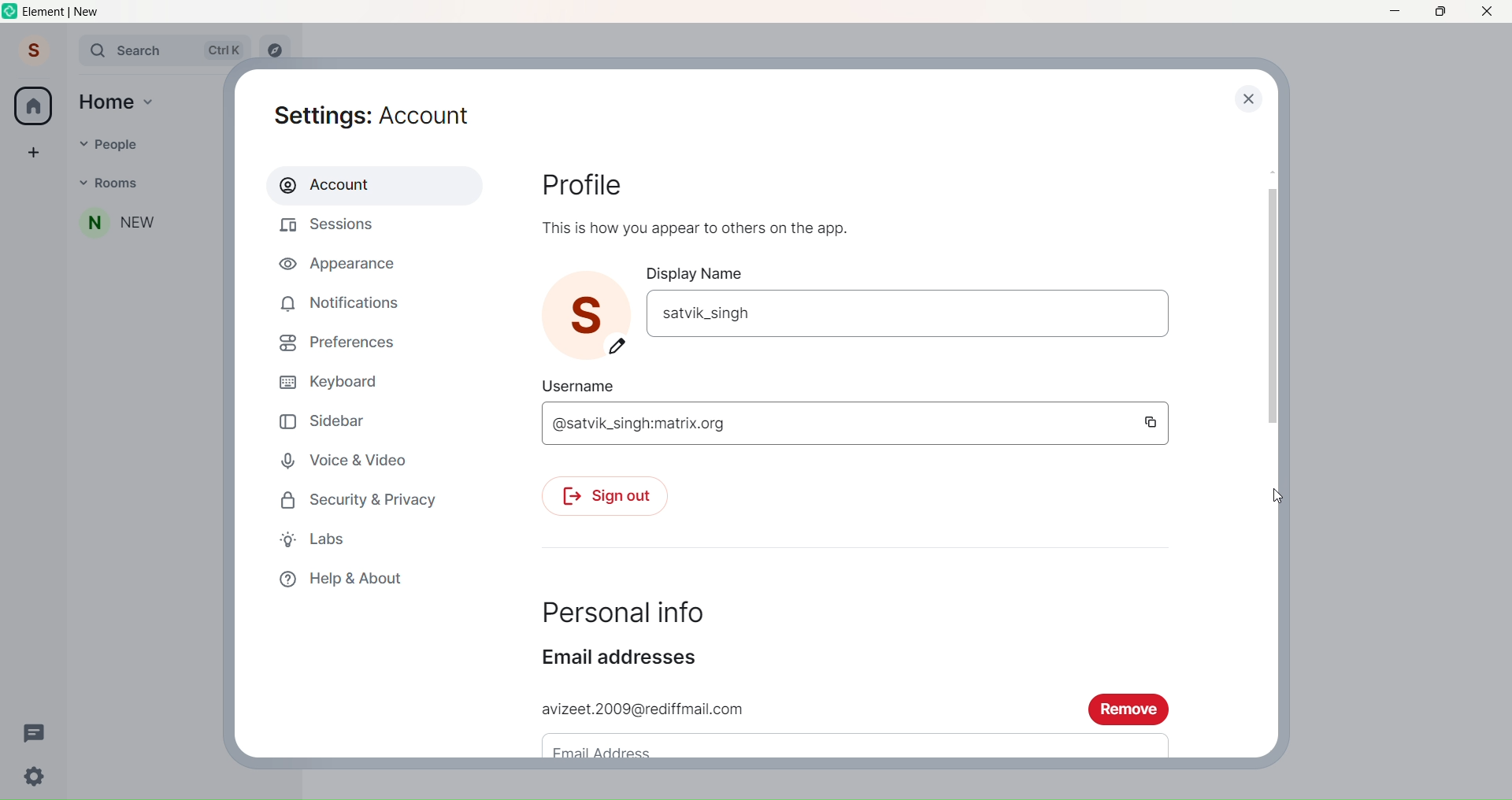  What do you see at coordinates (340, 380) in the screenshot?
I see `Keyboard` at bounding box center [340, 380].